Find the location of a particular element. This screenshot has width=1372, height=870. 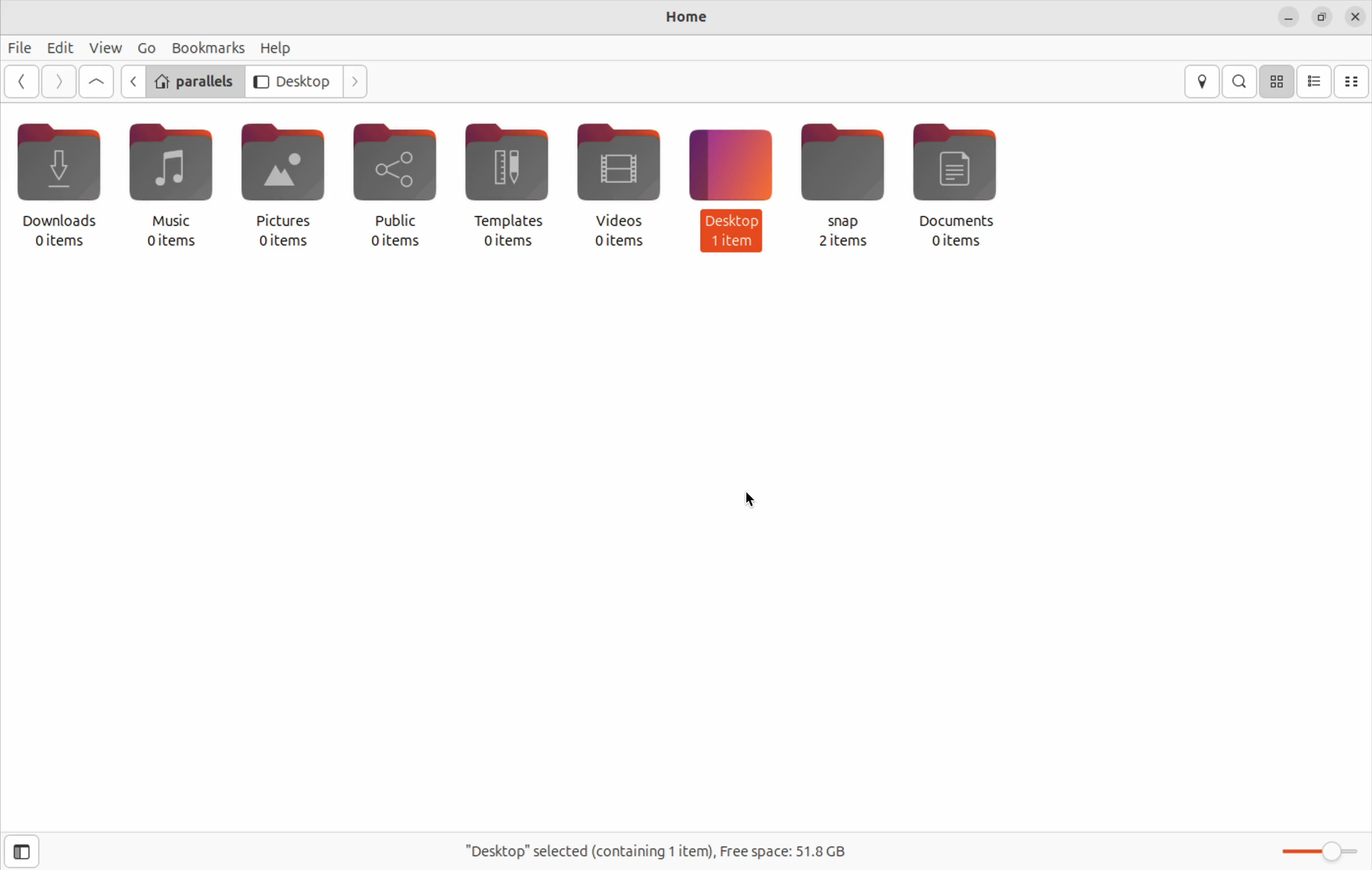

view is located at coordinates (104, 49).